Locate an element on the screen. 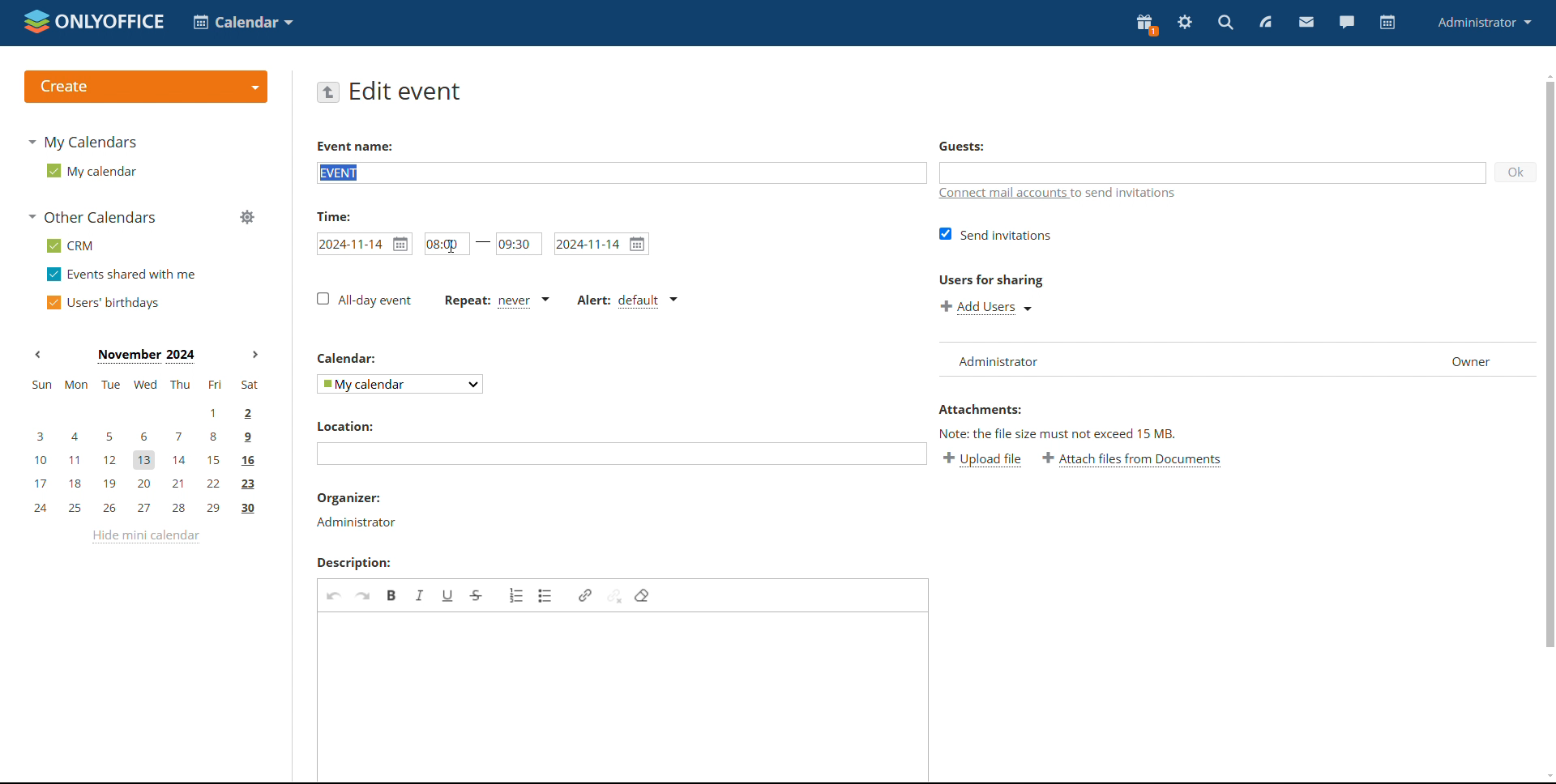  17, 18, 19, 20, 21, 22, 23 is located at coordinates (147, 484).